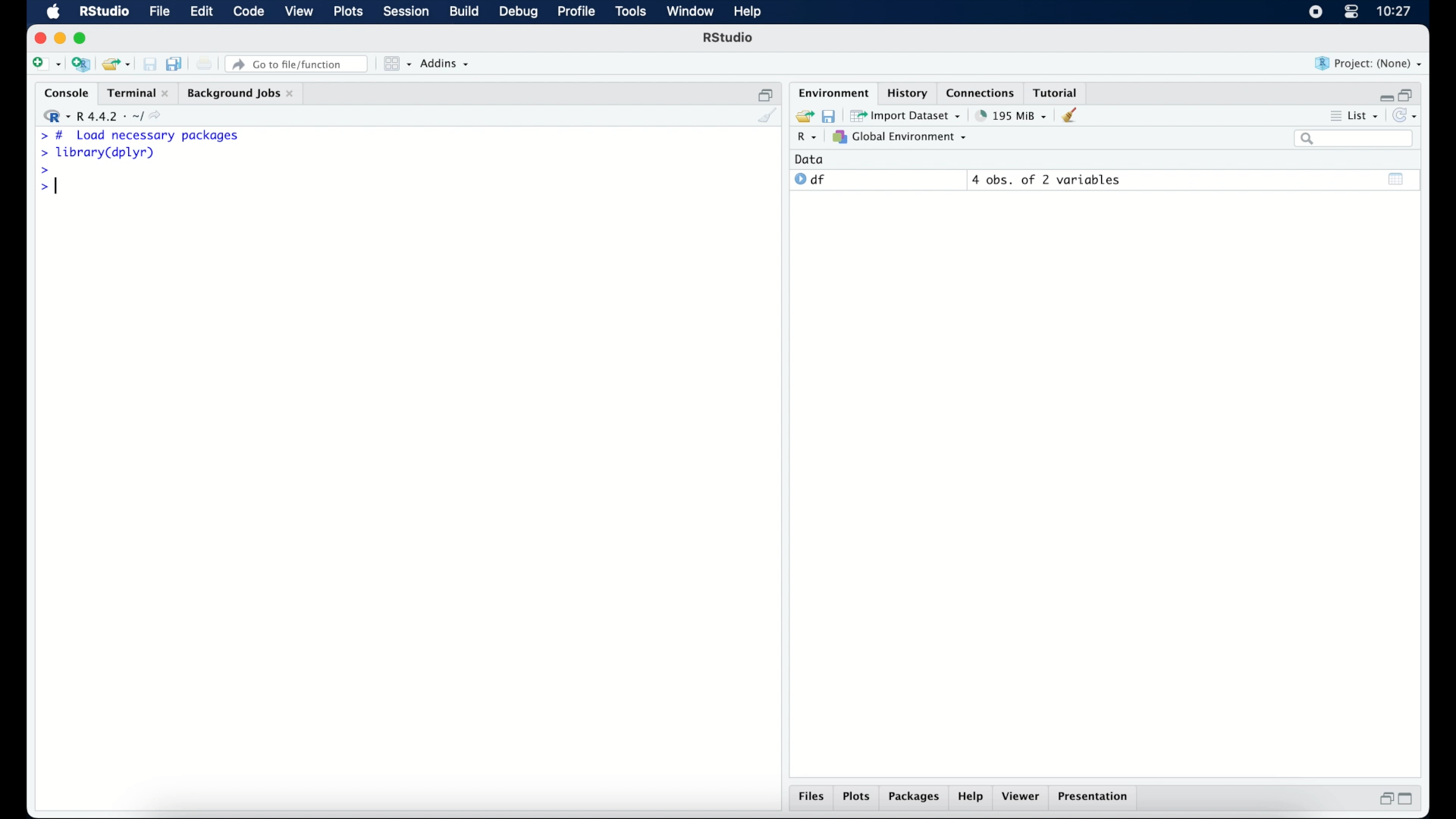 The height and width of the screenshot is (819, 1456). What do you see at coordinates (907, 115) in the screenshot?
I see `import dataset` at bounding box center [907, 115].